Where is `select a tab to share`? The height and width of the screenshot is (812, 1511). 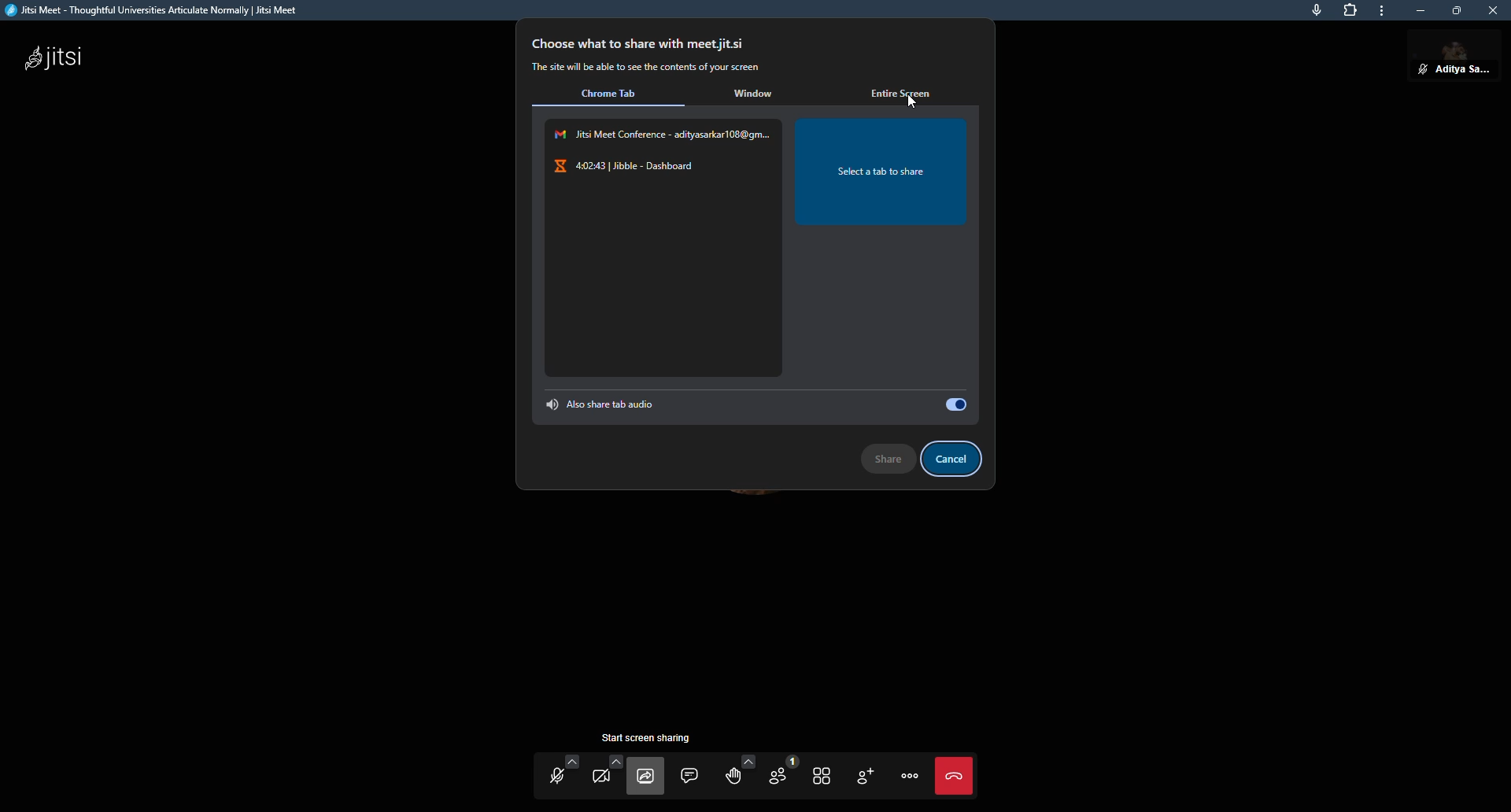
select a tab to share is located at coordinates (881, 171).